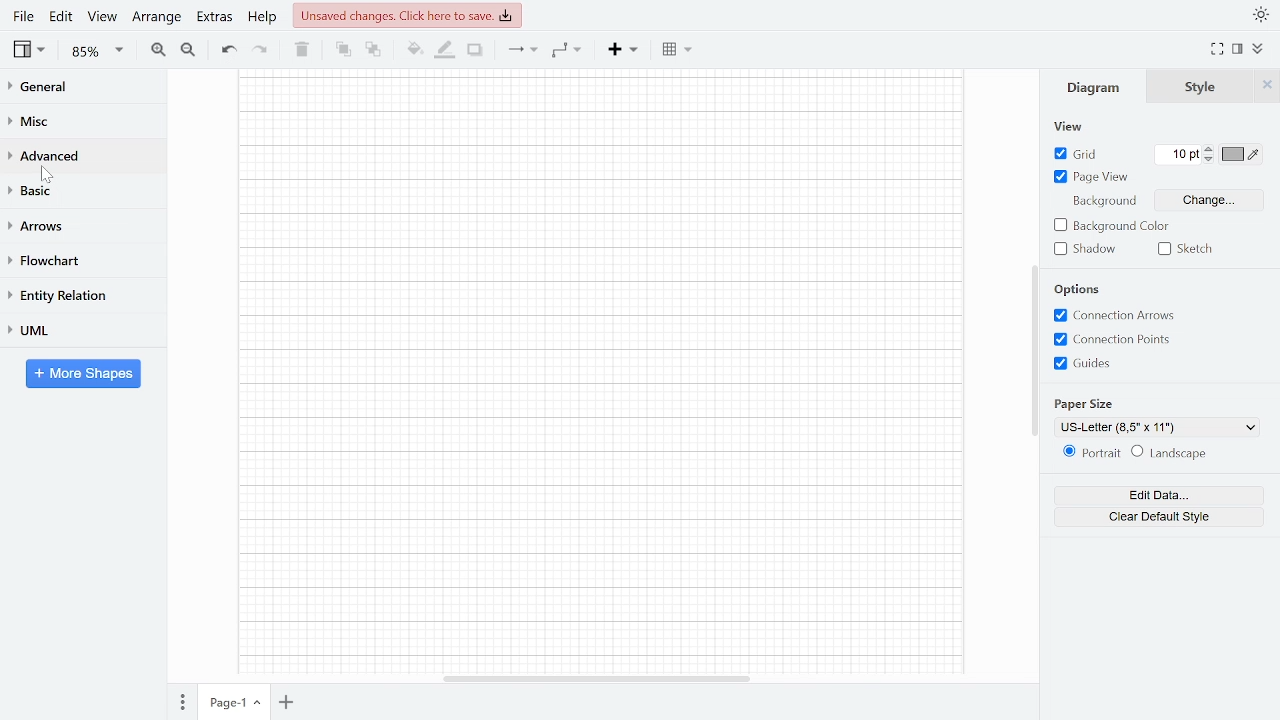 The image size is (1280, 720). What do you see at coordinates (1217, 49) in the screenshot?
I see `Fullscreen` at bounding box center [1217, 49].